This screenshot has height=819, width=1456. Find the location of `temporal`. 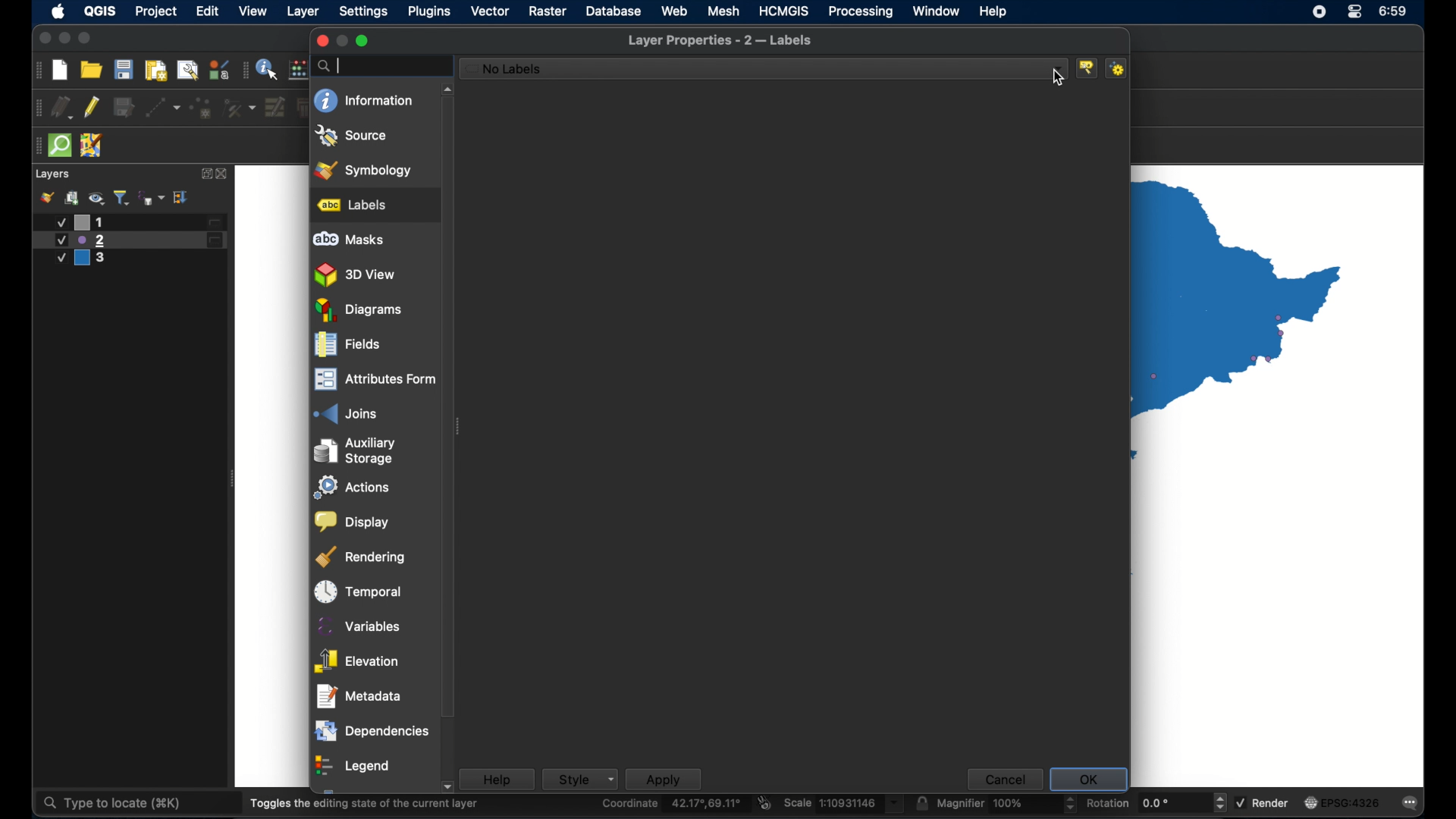

temporal is located at coordinates (359, 591).